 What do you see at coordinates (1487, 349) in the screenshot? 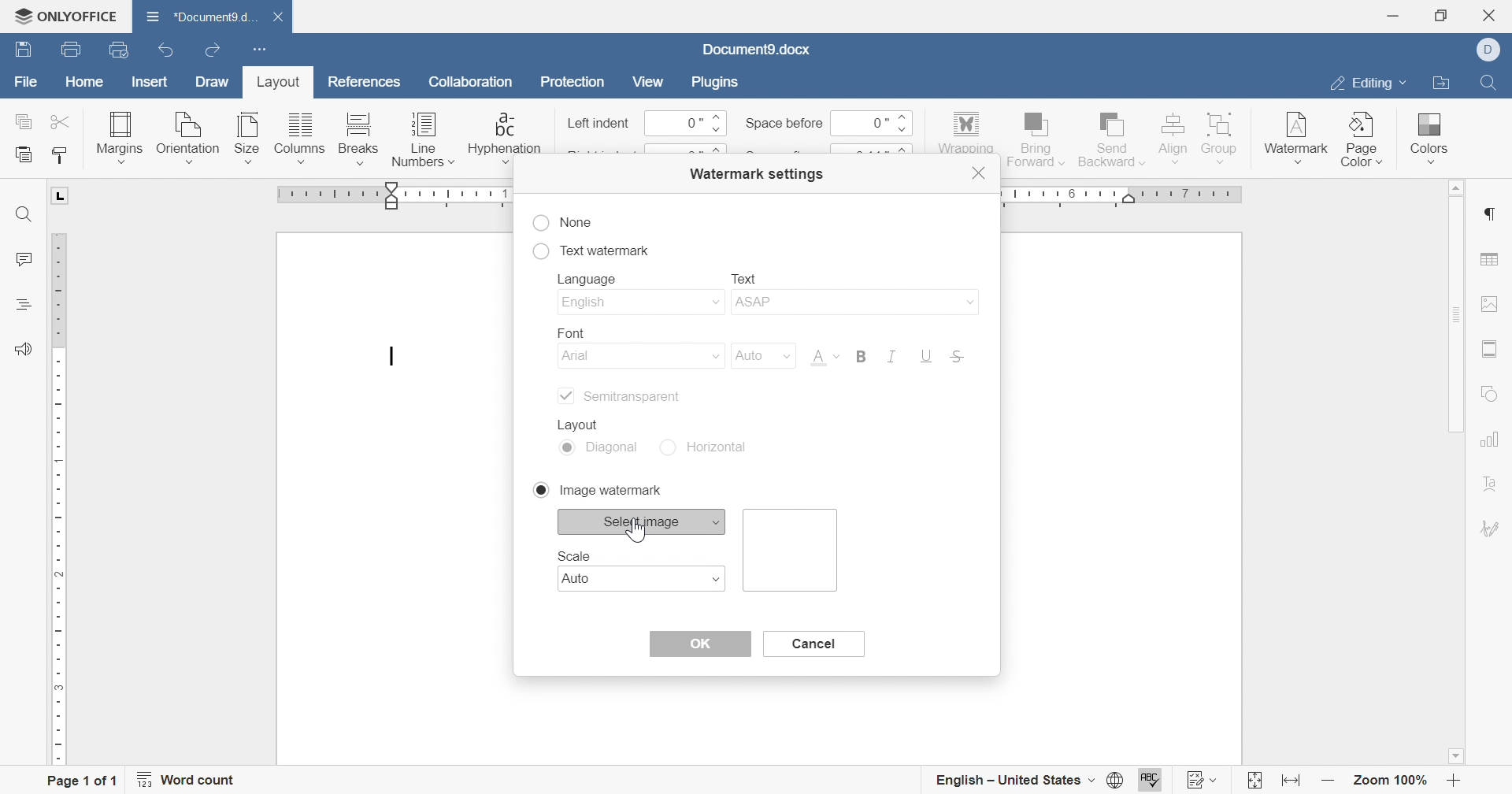
I see `header and footer settings` at bounding box center [1487, 349].